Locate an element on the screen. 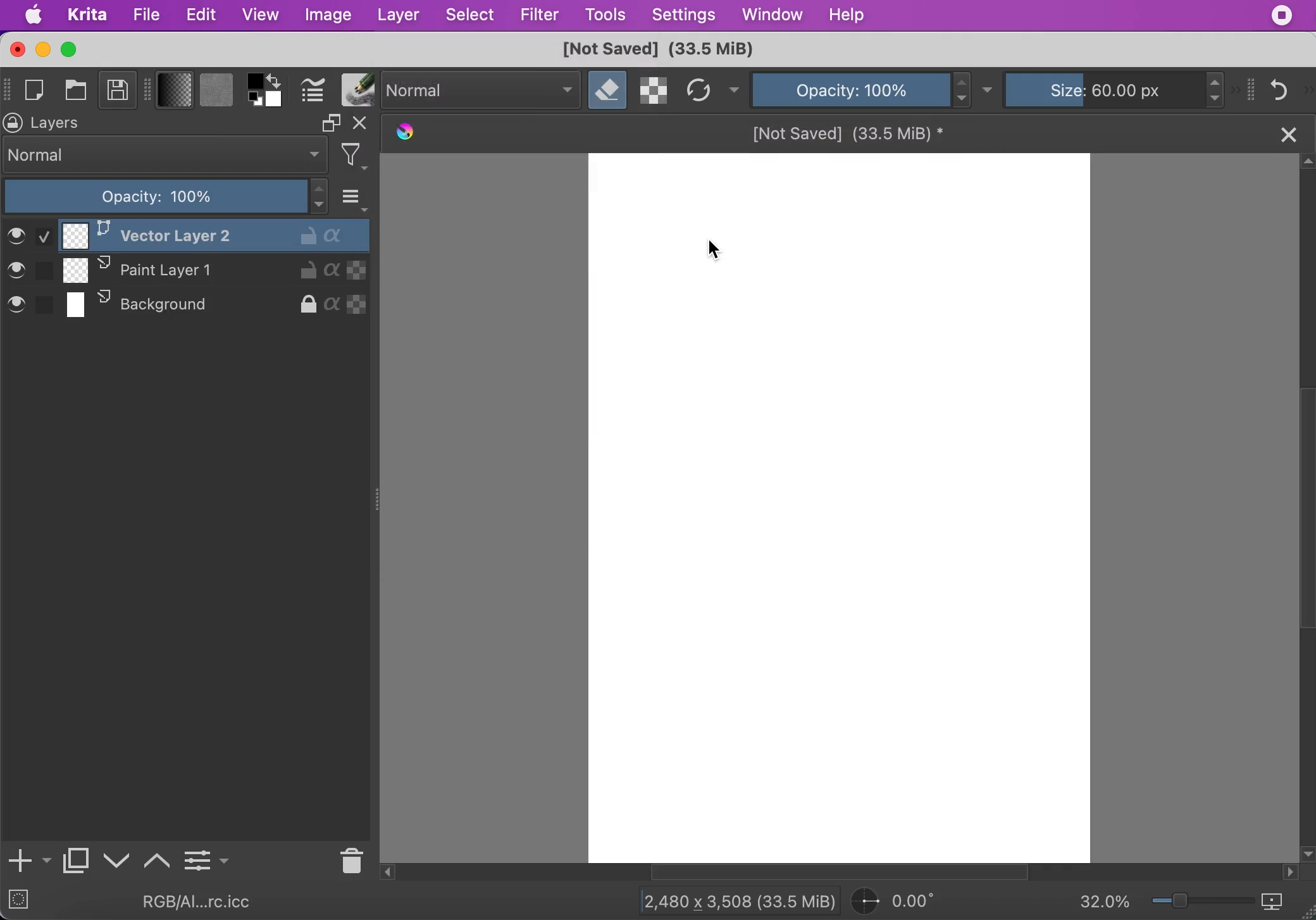  horizontal slider is located at coordinates (853, 873).